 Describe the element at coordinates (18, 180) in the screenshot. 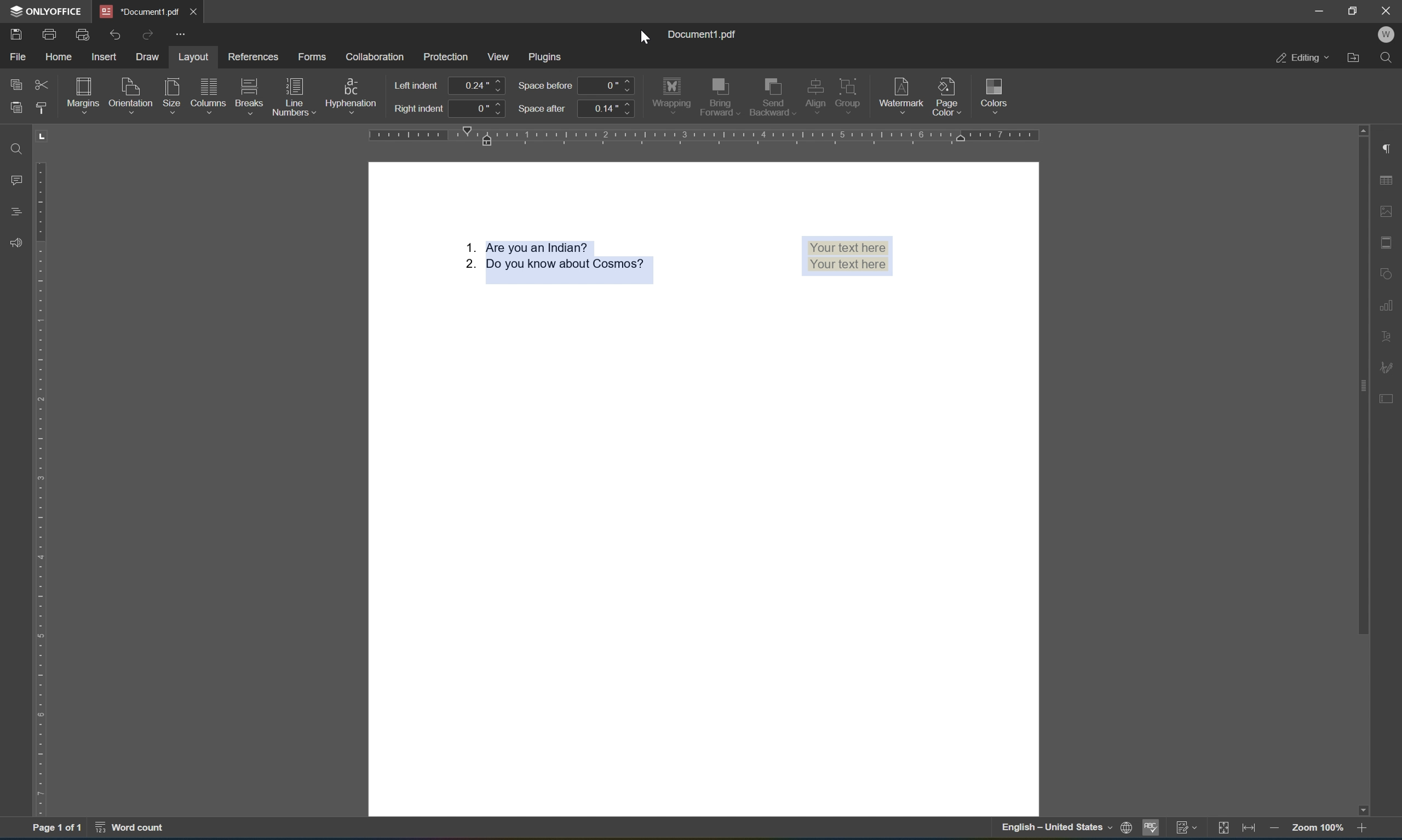

I see `comments` at that location.